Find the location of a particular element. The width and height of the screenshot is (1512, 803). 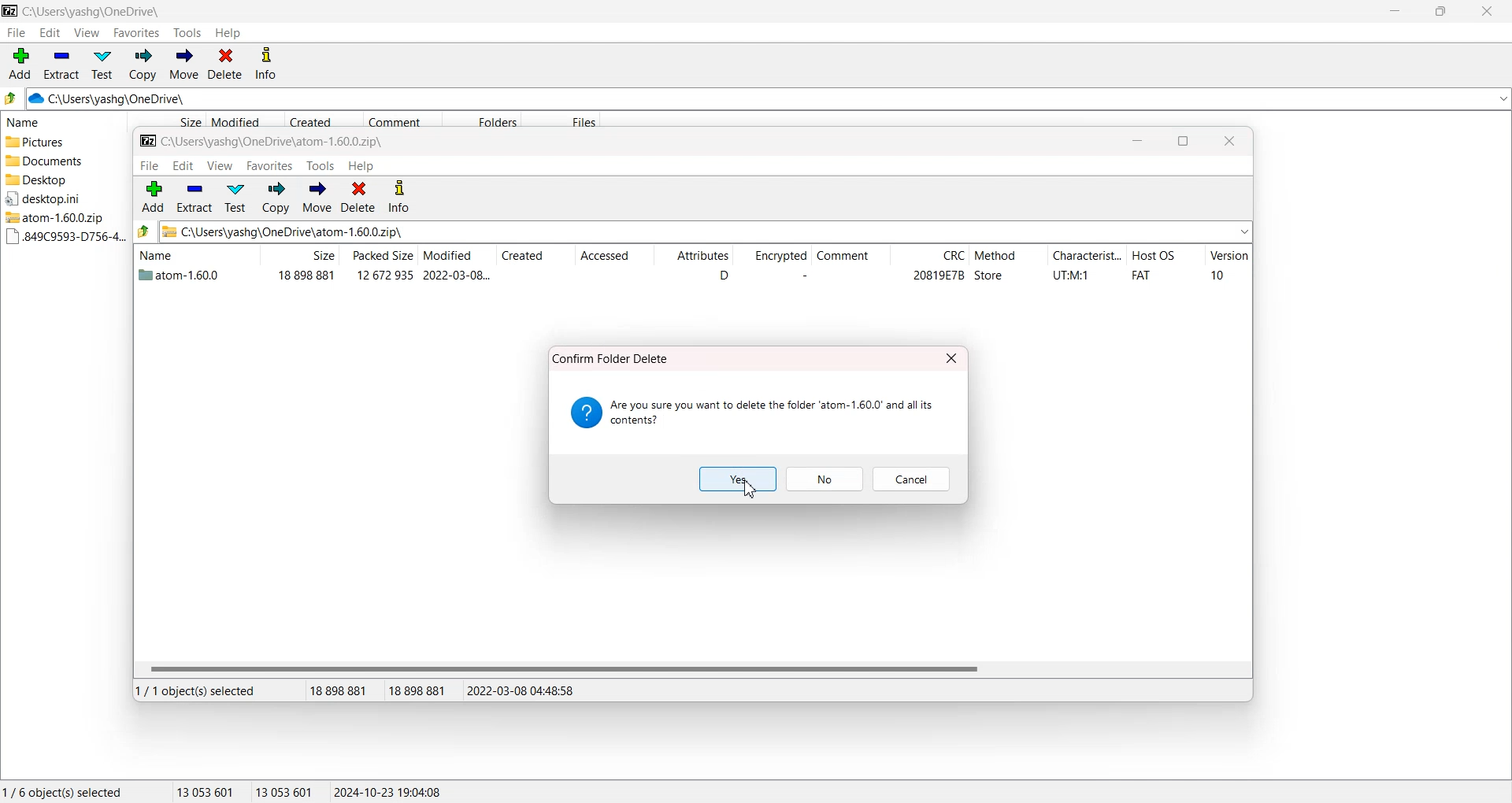

Info is located at coordinates (265, 65).